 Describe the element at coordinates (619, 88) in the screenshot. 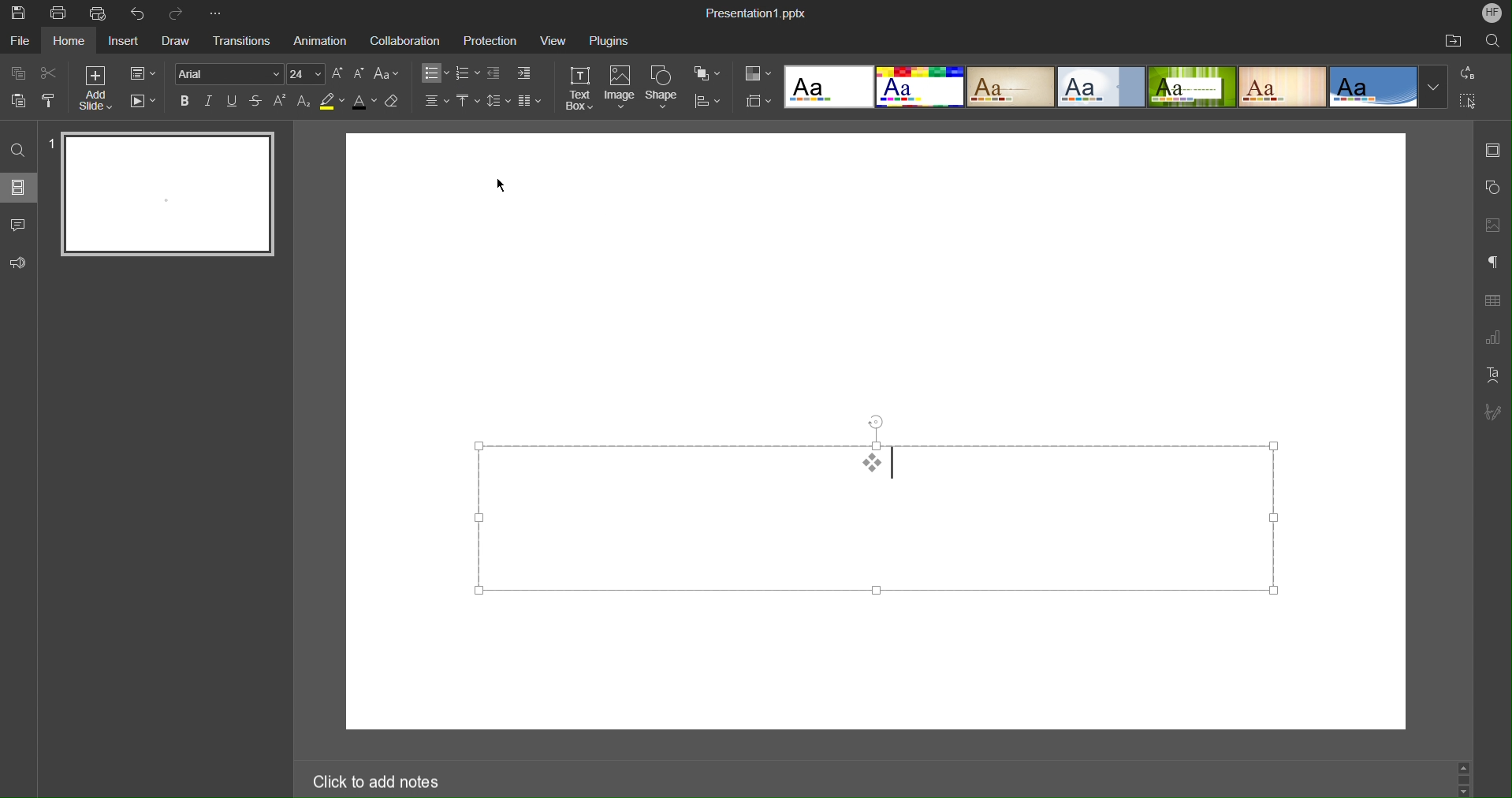

I see `Image` at that location.